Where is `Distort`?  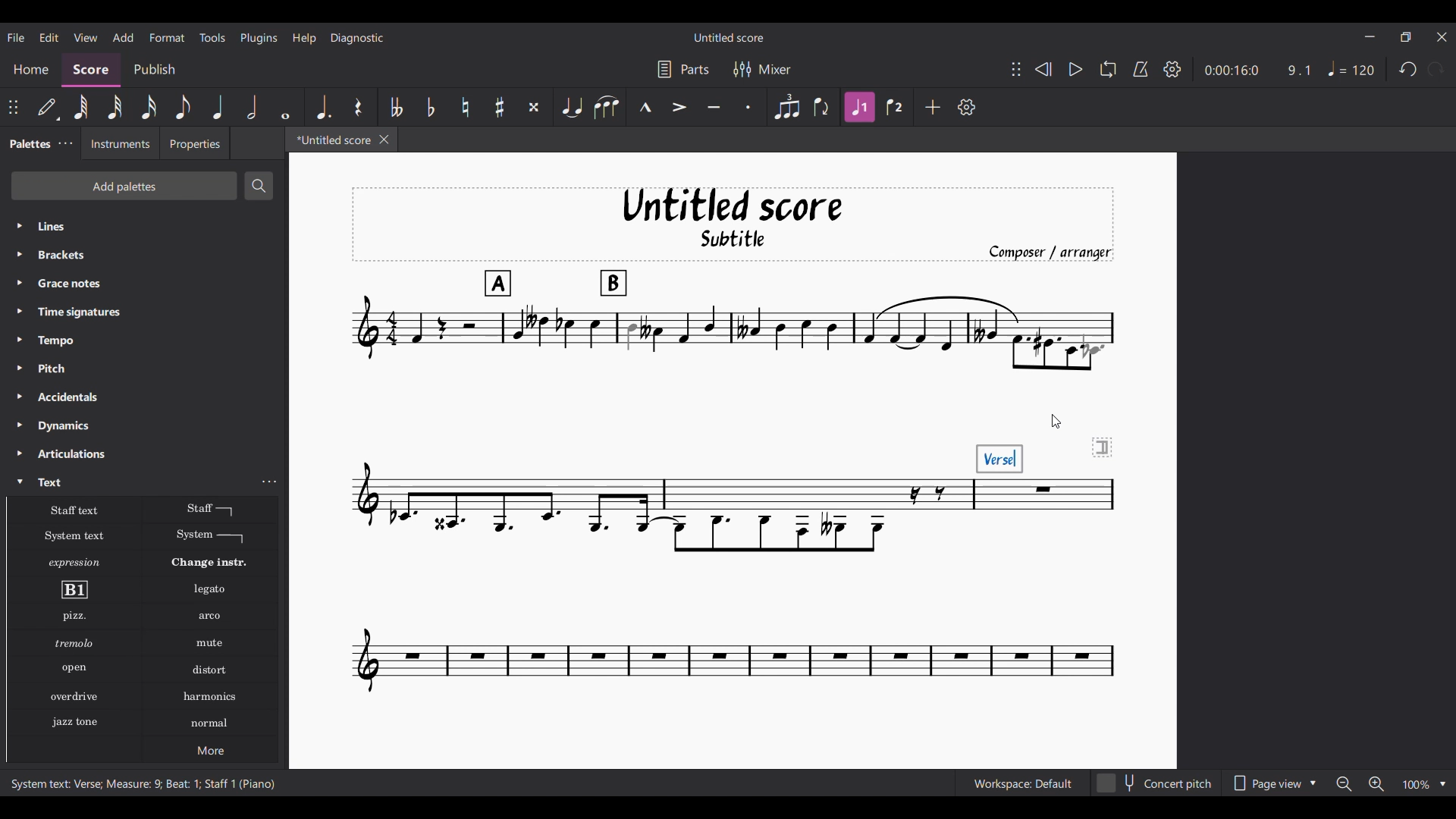 Distort is located at coordinates (210, 670).